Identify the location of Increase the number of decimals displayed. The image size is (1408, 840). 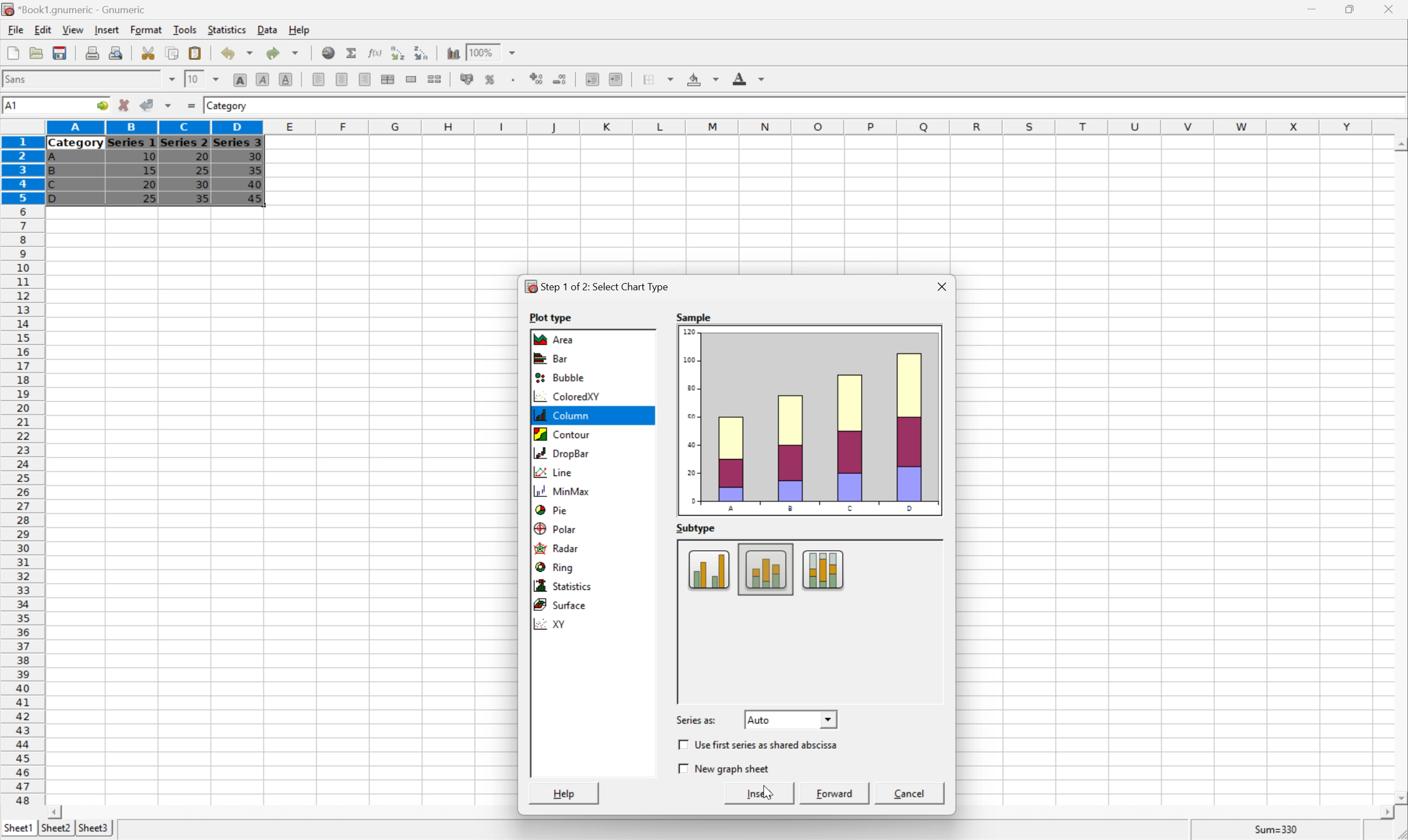
(538, 79).